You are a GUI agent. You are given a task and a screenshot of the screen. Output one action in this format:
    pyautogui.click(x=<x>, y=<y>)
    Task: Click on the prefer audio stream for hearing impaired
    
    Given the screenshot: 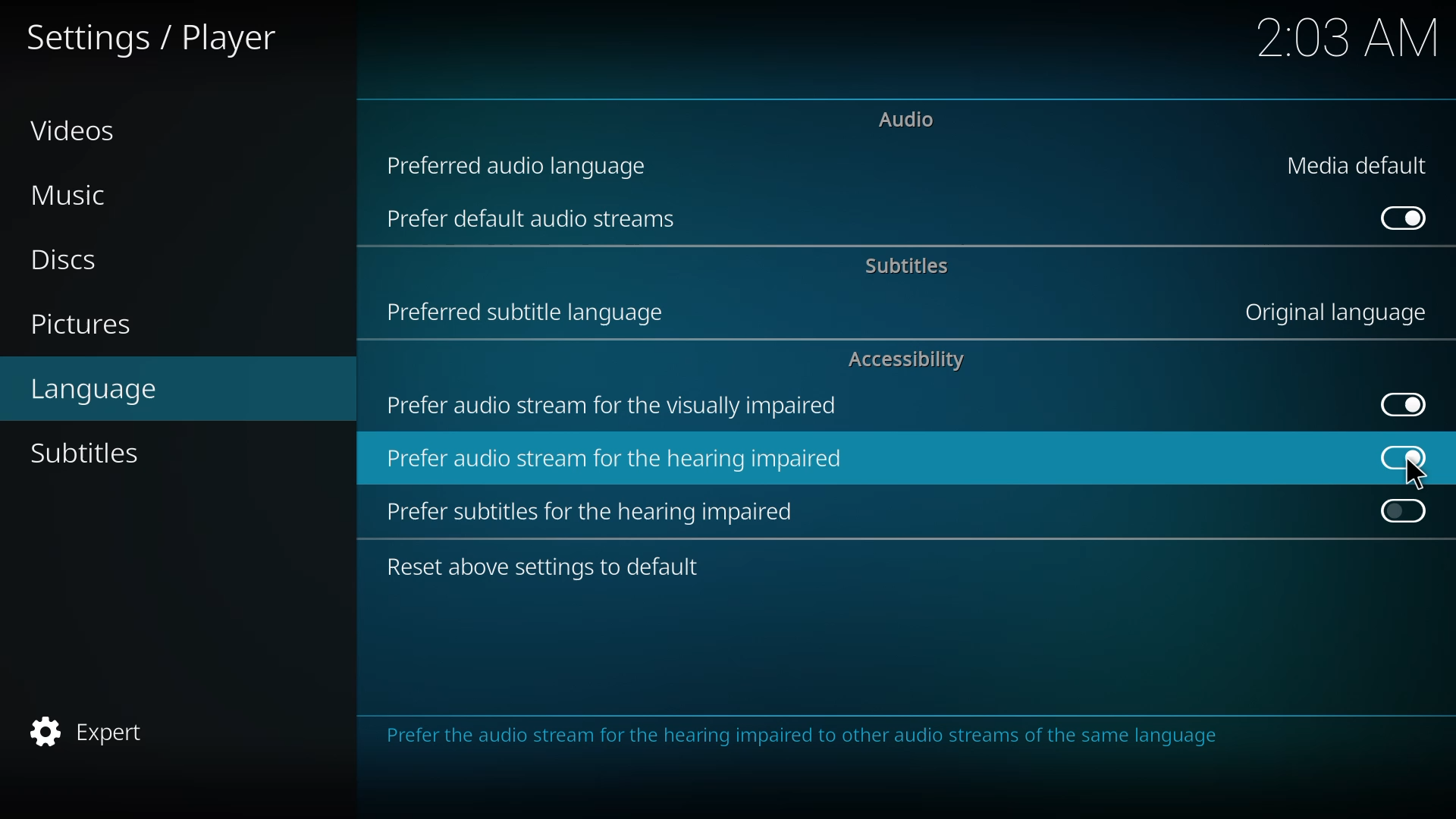 What is the action you would take?
    pyautogui.click(x=612, y=460)
    